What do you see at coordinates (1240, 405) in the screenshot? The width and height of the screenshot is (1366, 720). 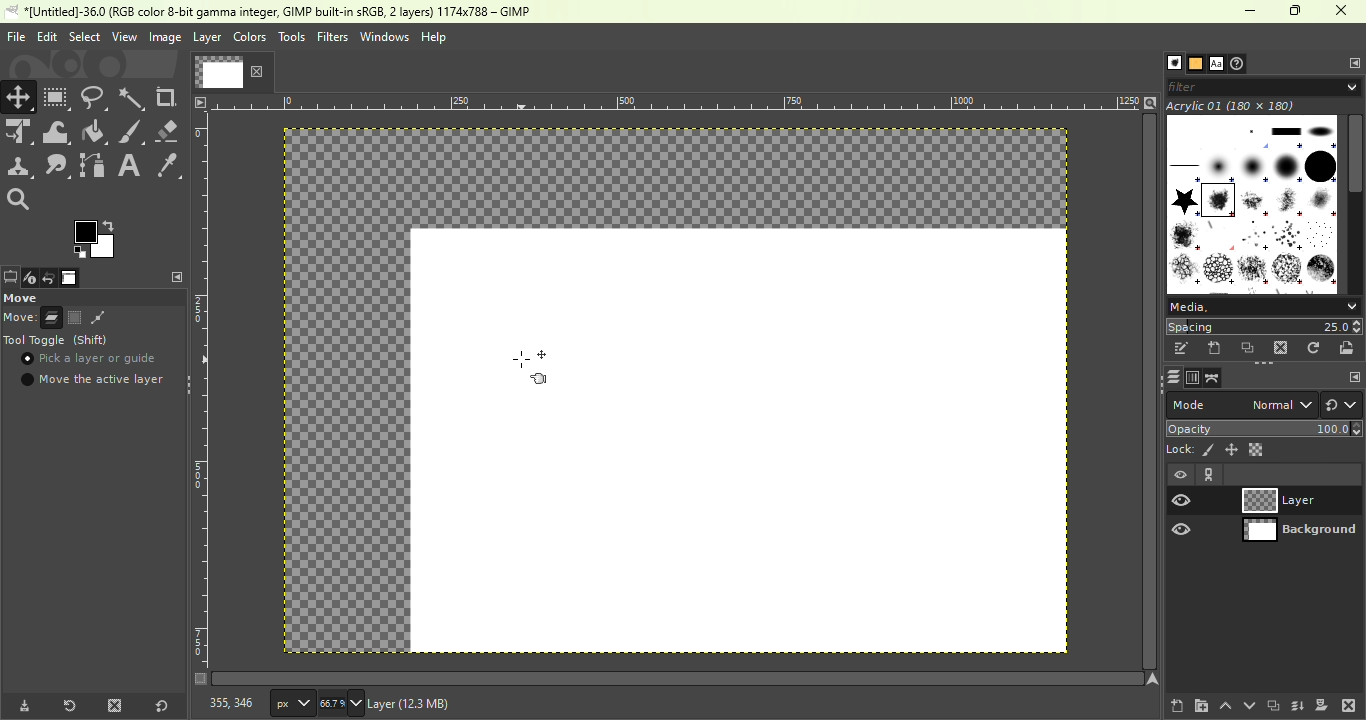 I see `Mode` at bounding box center [1240, 405].